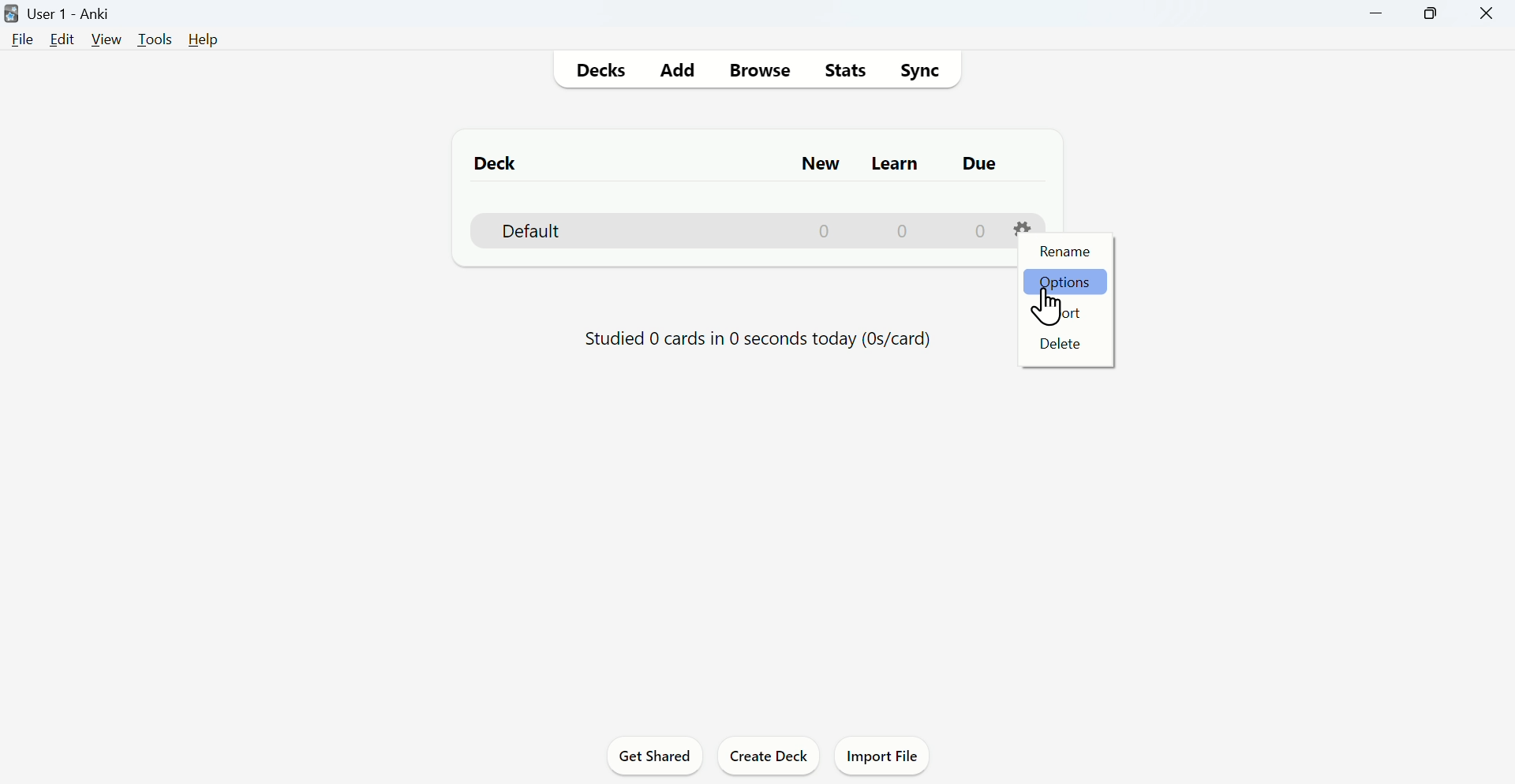  Describe the element at coordinates (1064, 284) in the screenshot. I see `Options` at that location.